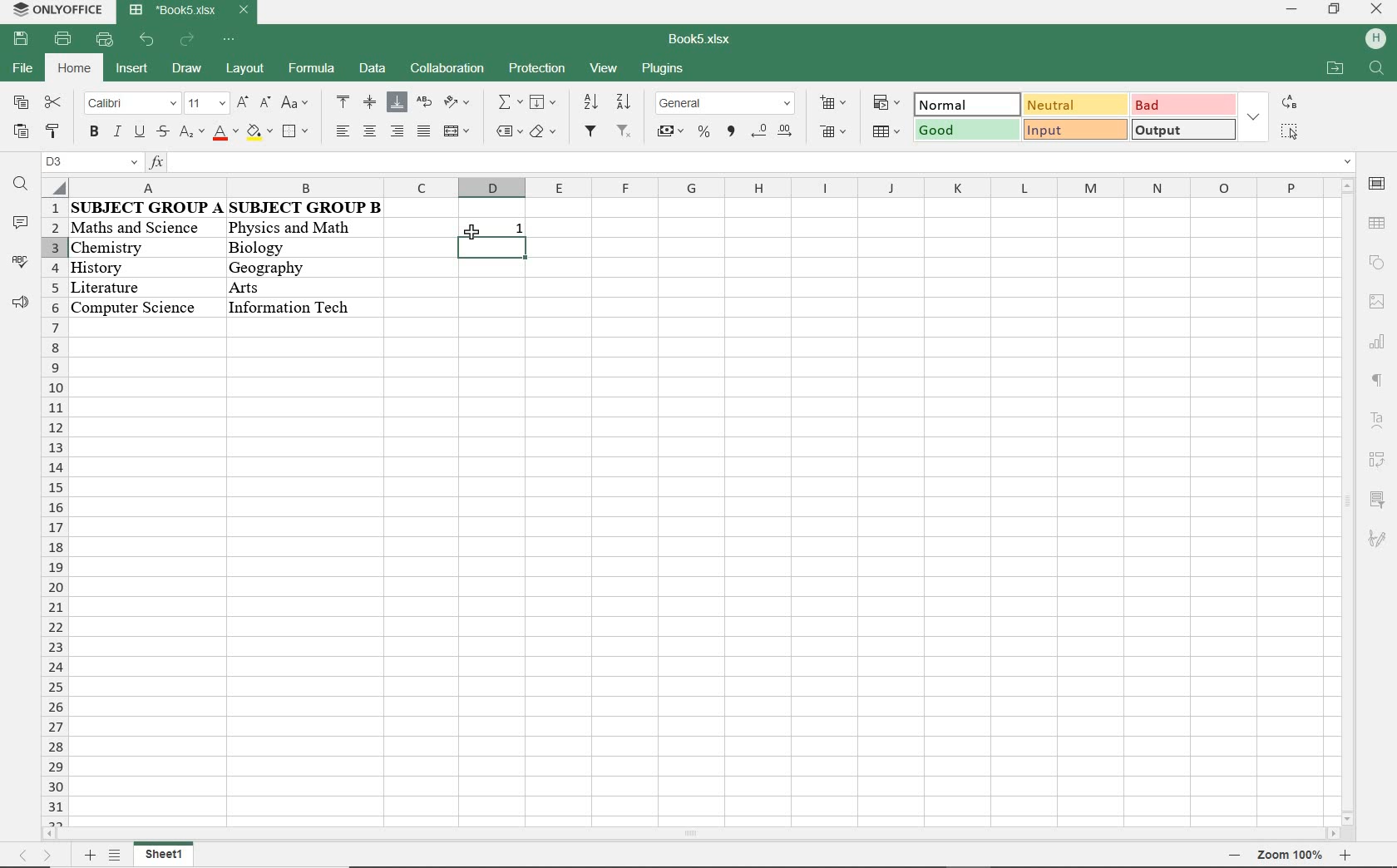 The width and height of the screenshot is (1397, 868). I want to click on formula returns 1, so click(493, 224).